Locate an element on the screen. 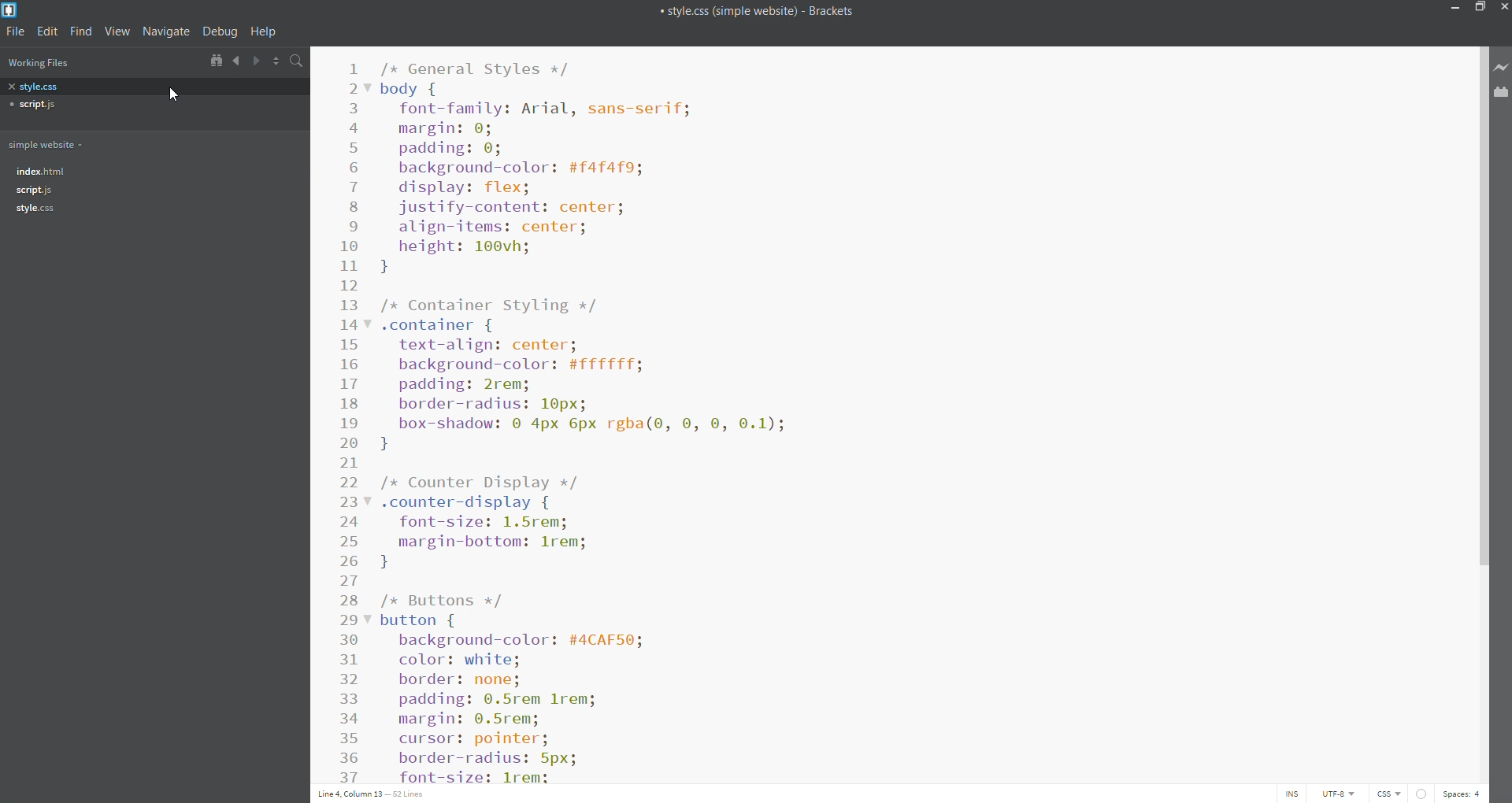 This screenshot has height=803, width=1512. search is located at coordinates (299, 62).